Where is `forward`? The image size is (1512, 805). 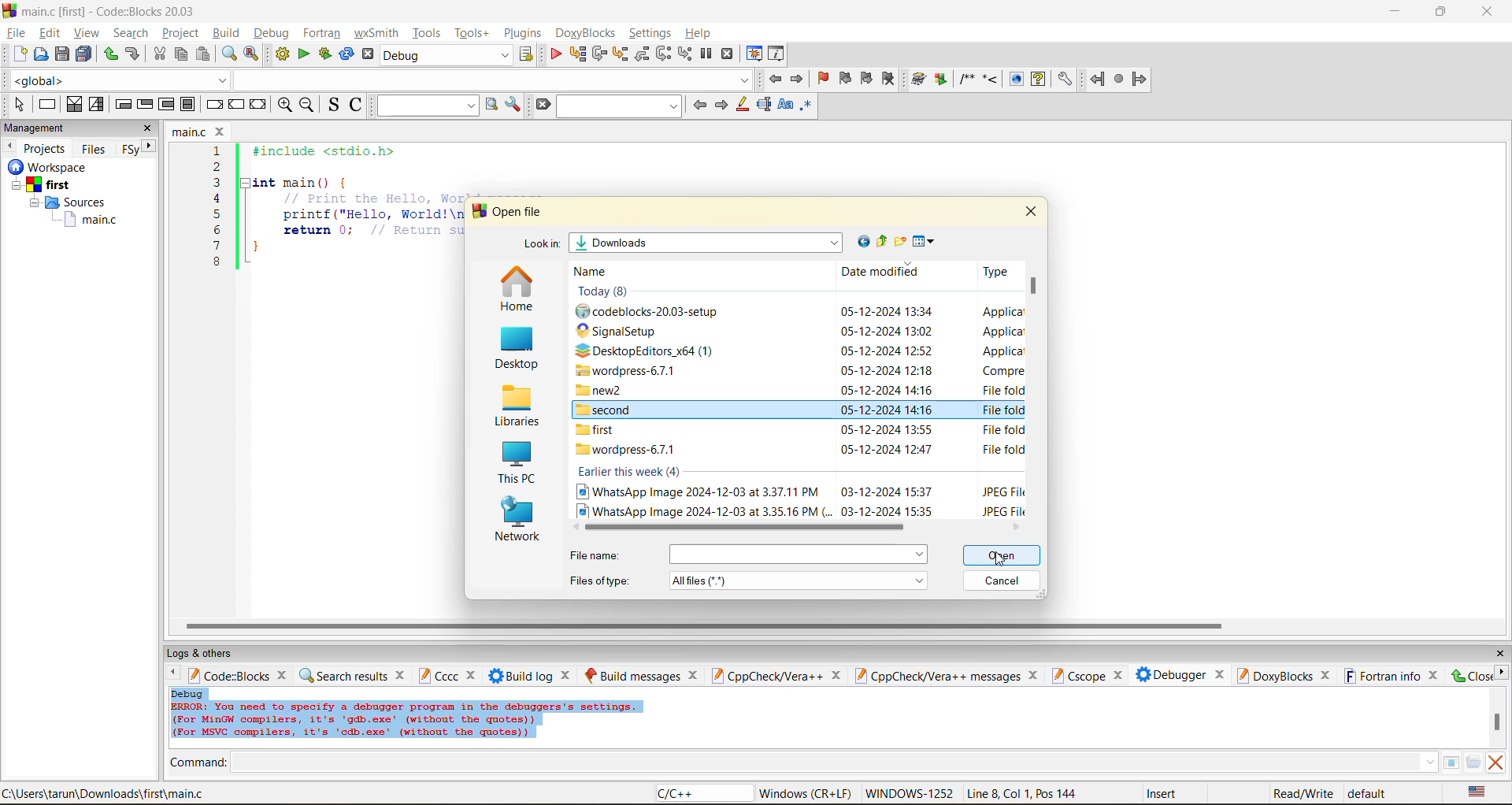 forward is located at coordinates (1140, 79).